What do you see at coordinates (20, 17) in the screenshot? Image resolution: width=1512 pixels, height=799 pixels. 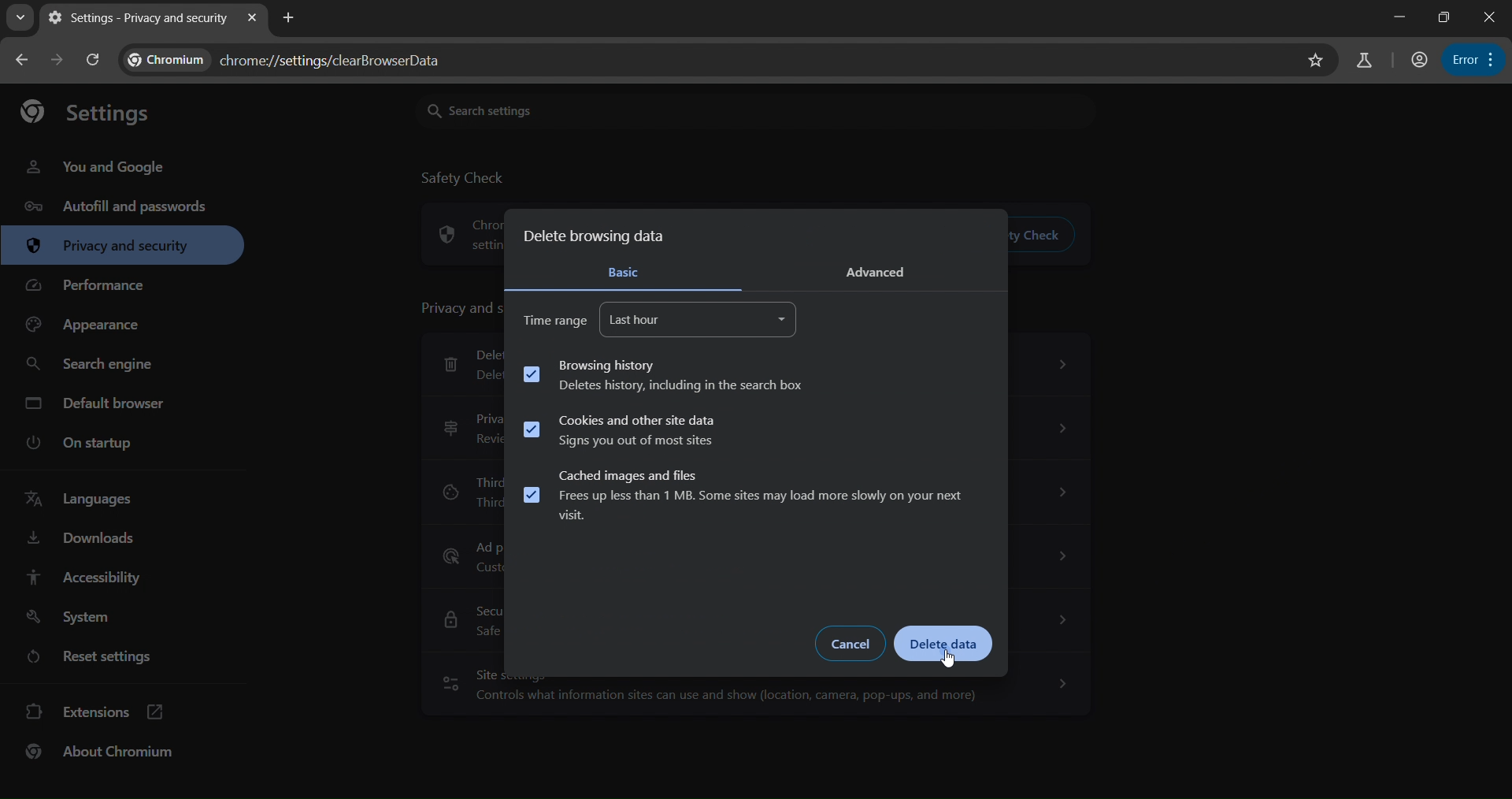 I see `search tabs` at bounding box center [20, 17].